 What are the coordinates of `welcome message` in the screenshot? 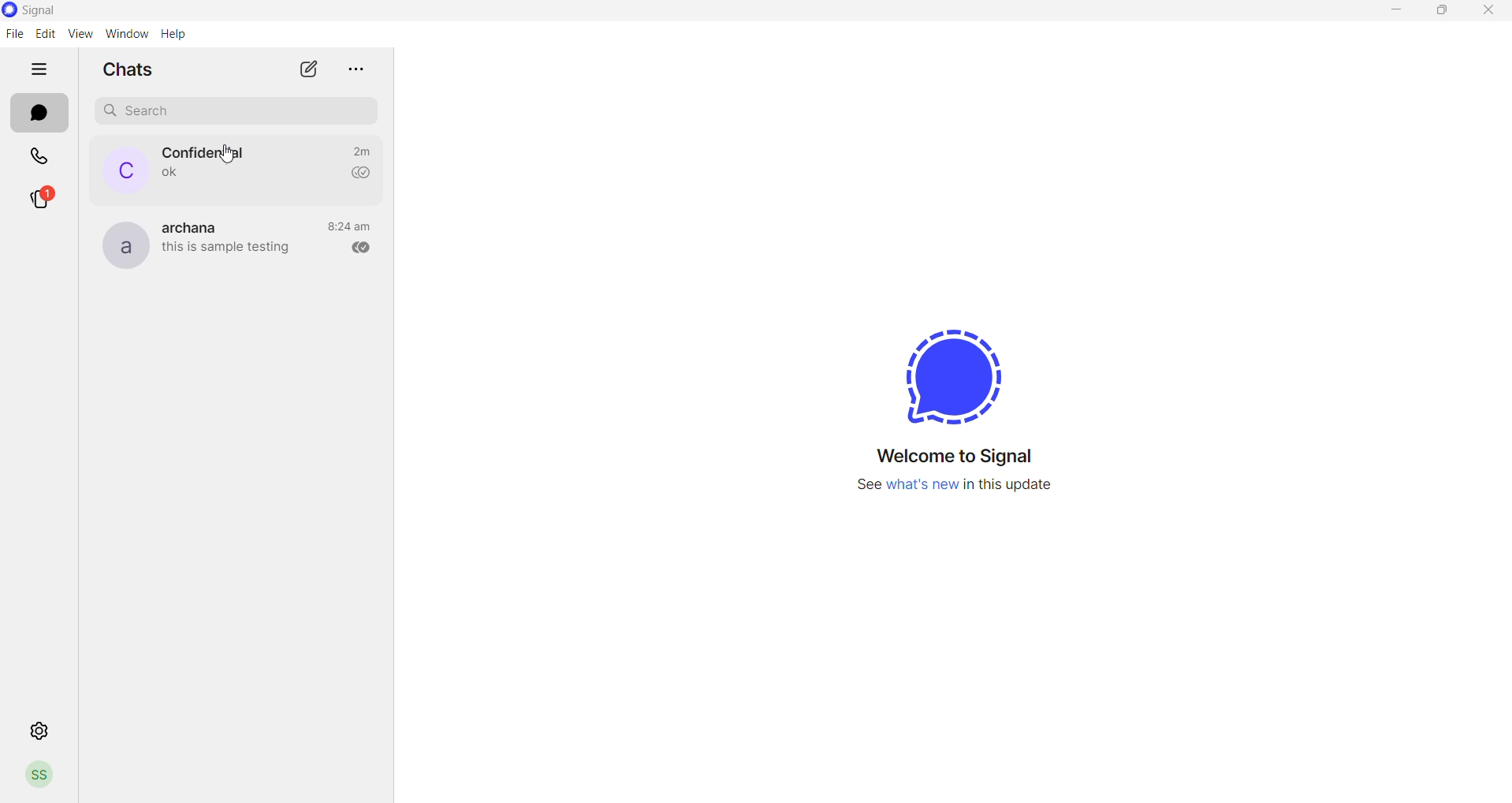 It's located at (950, 458).